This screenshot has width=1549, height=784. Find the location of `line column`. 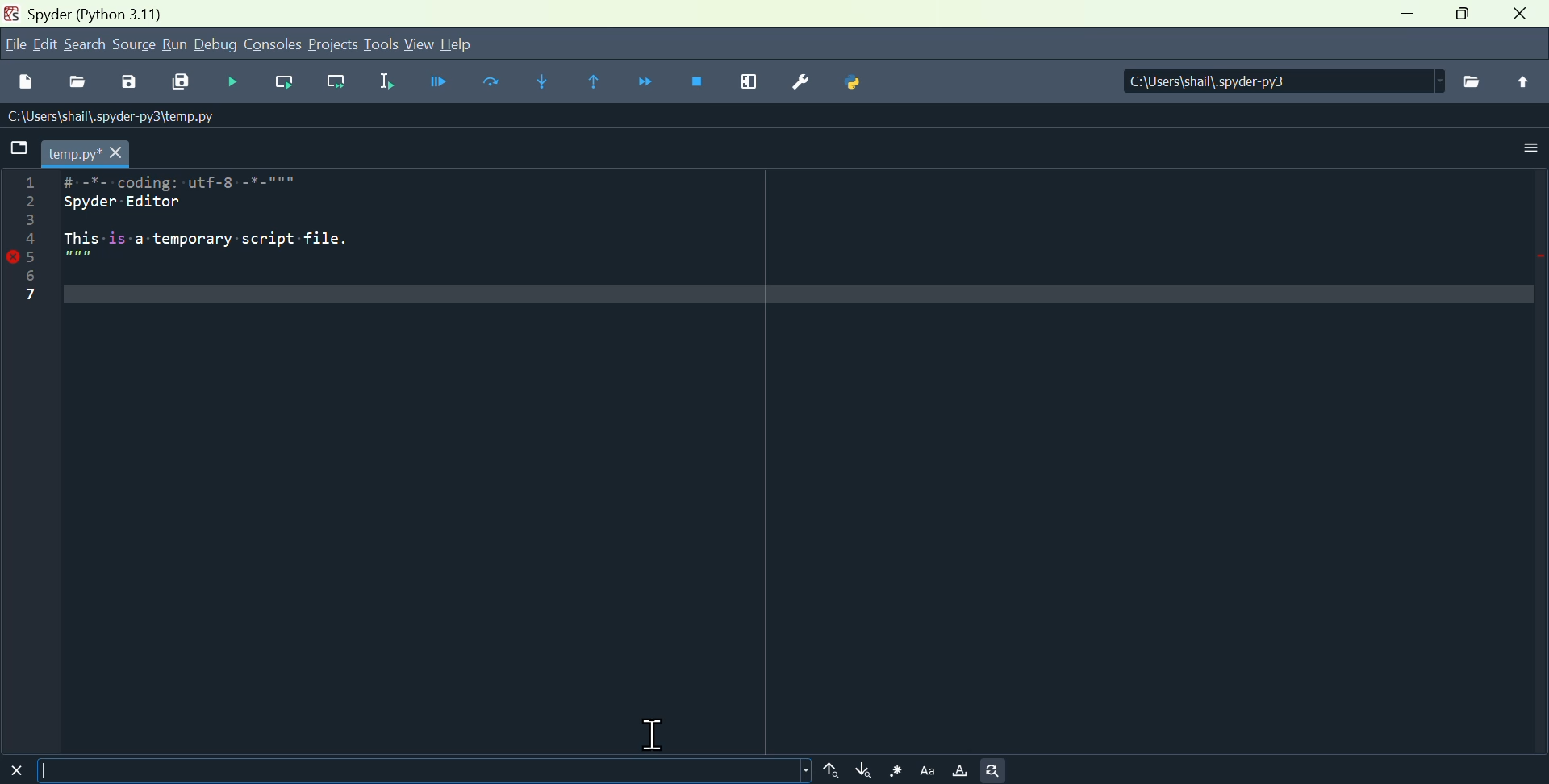

line column is located at coordinates (30, 461).